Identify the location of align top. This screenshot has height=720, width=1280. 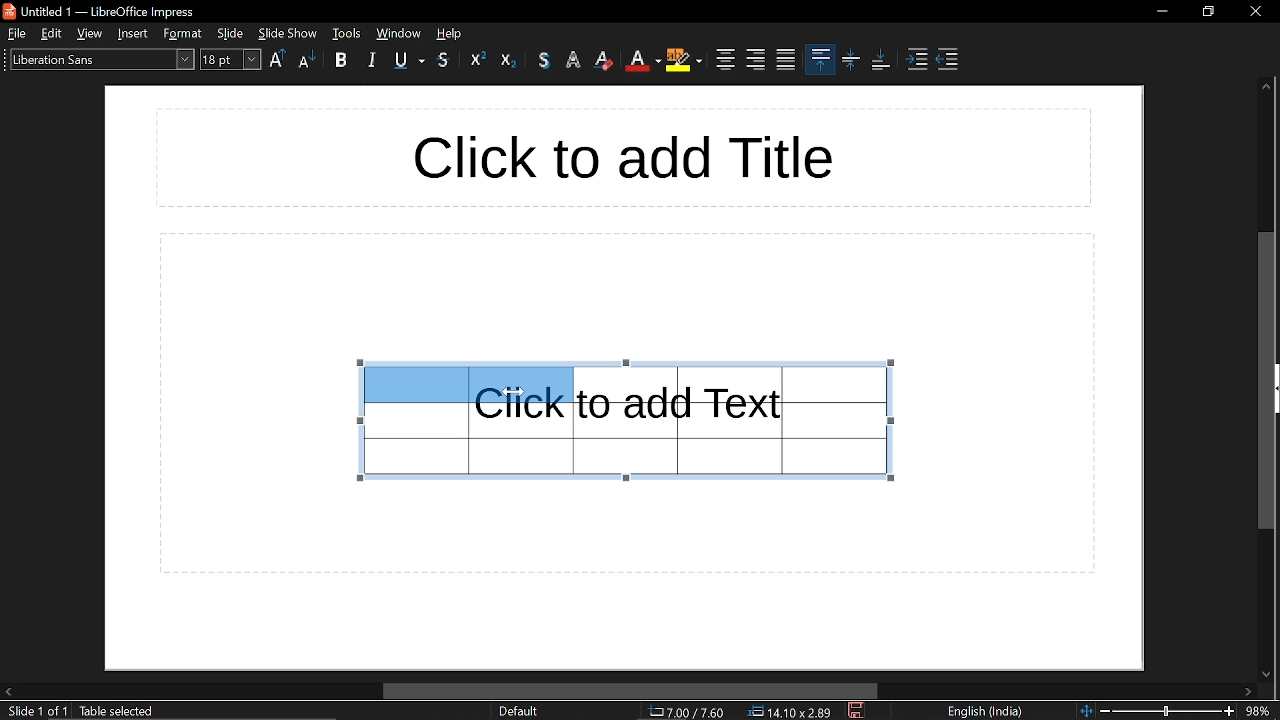
(820, 58).